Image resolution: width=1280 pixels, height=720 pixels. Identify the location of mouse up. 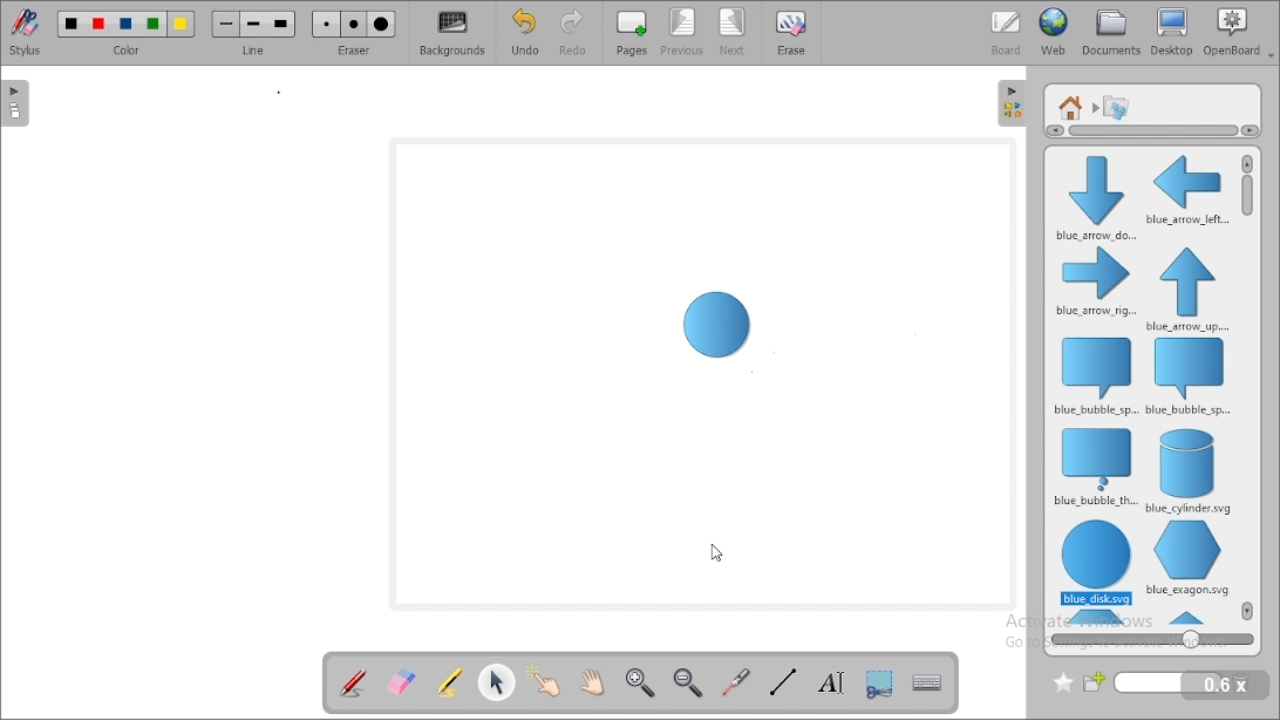
(713, 553).